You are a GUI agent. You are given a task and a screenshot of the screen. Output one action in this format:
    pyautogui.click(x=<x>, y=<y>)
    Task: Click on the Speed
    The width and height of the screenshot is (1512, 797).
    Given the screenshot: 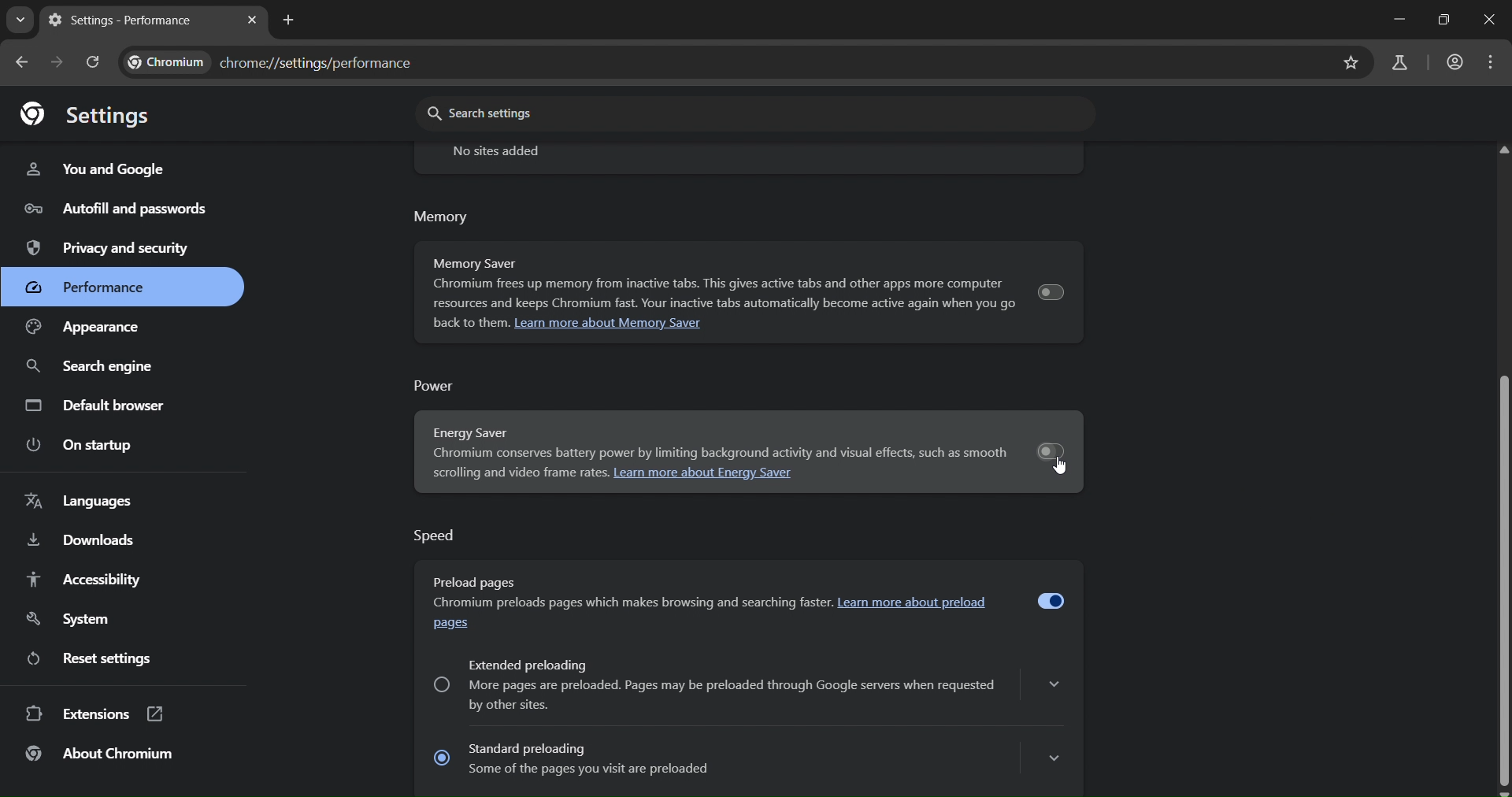 What is the action you would take?
    pyautogui.click(x=442, y=536)
    